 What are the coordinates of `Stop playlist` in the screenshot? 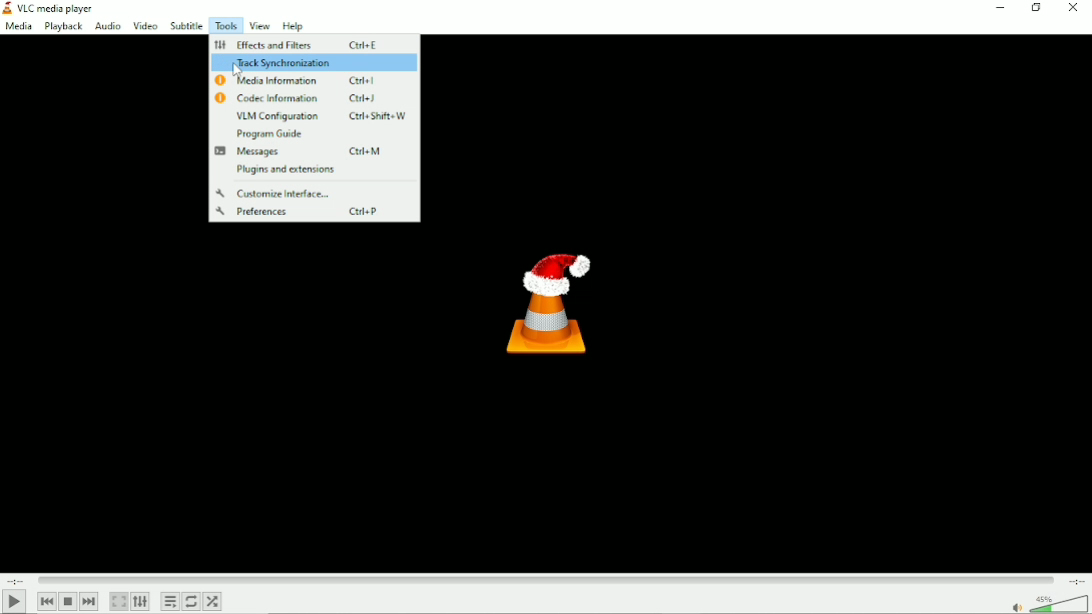 It's located at (68, 602).